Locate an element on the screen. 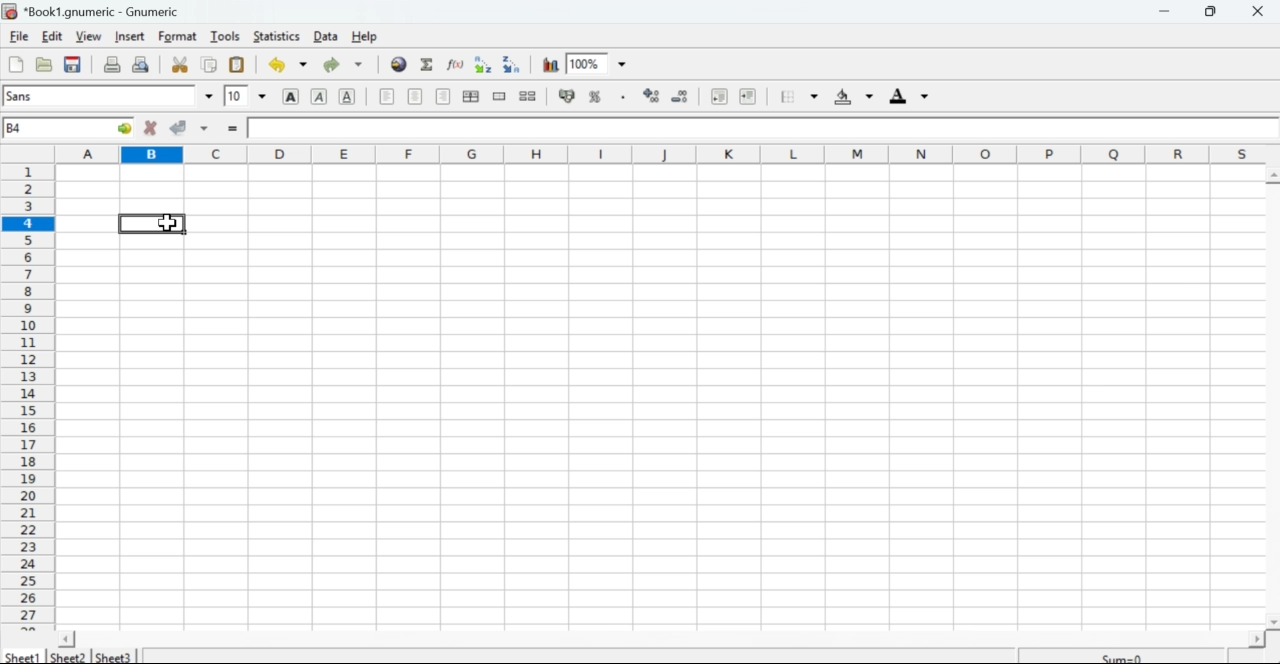  Minimise is located at coordinates (1215, 11).